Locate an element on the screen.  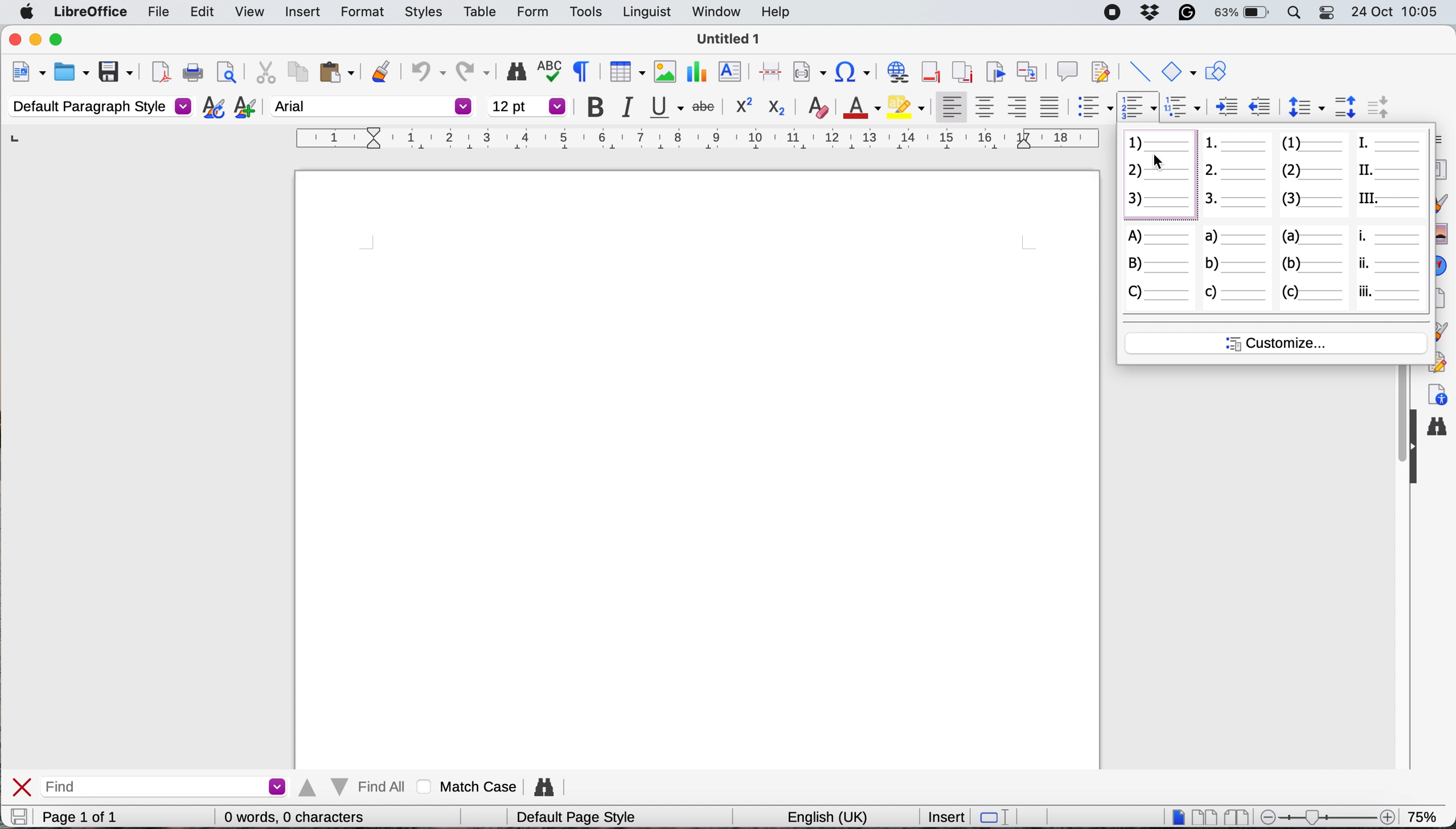
font size is located at coordinates (528, 106).